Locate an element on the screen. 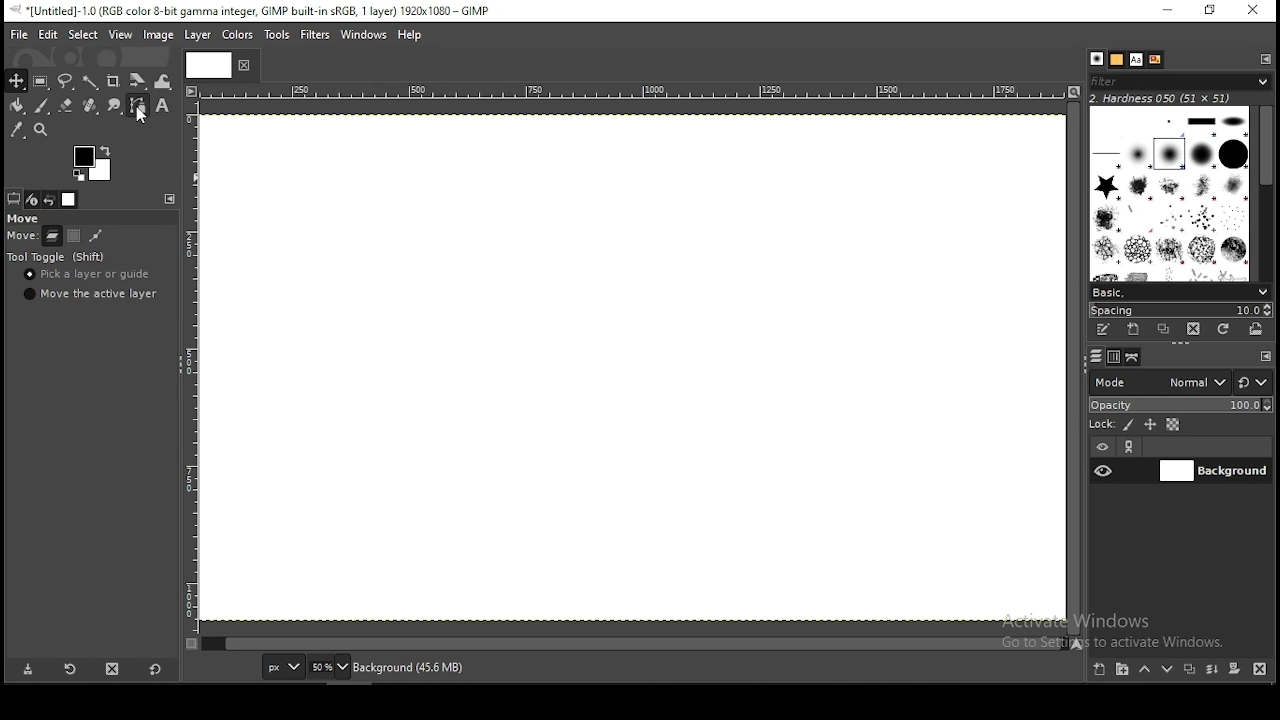 This screenshot has height=720, width=1280. horizontal scale is located at coordinates (631, 94).